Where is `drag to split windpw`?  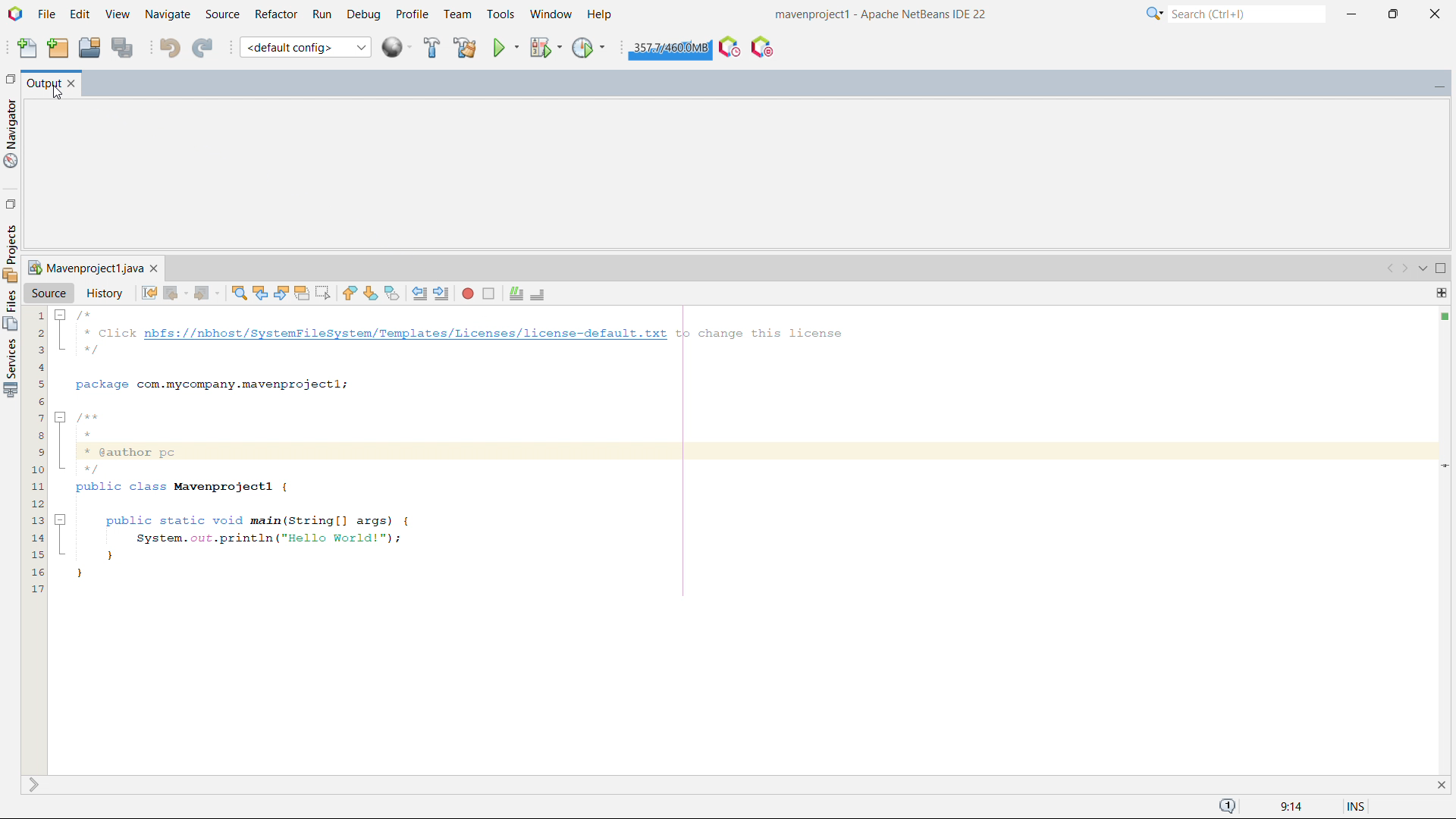
drag to split windpw is located at coordinates (1441, 293).